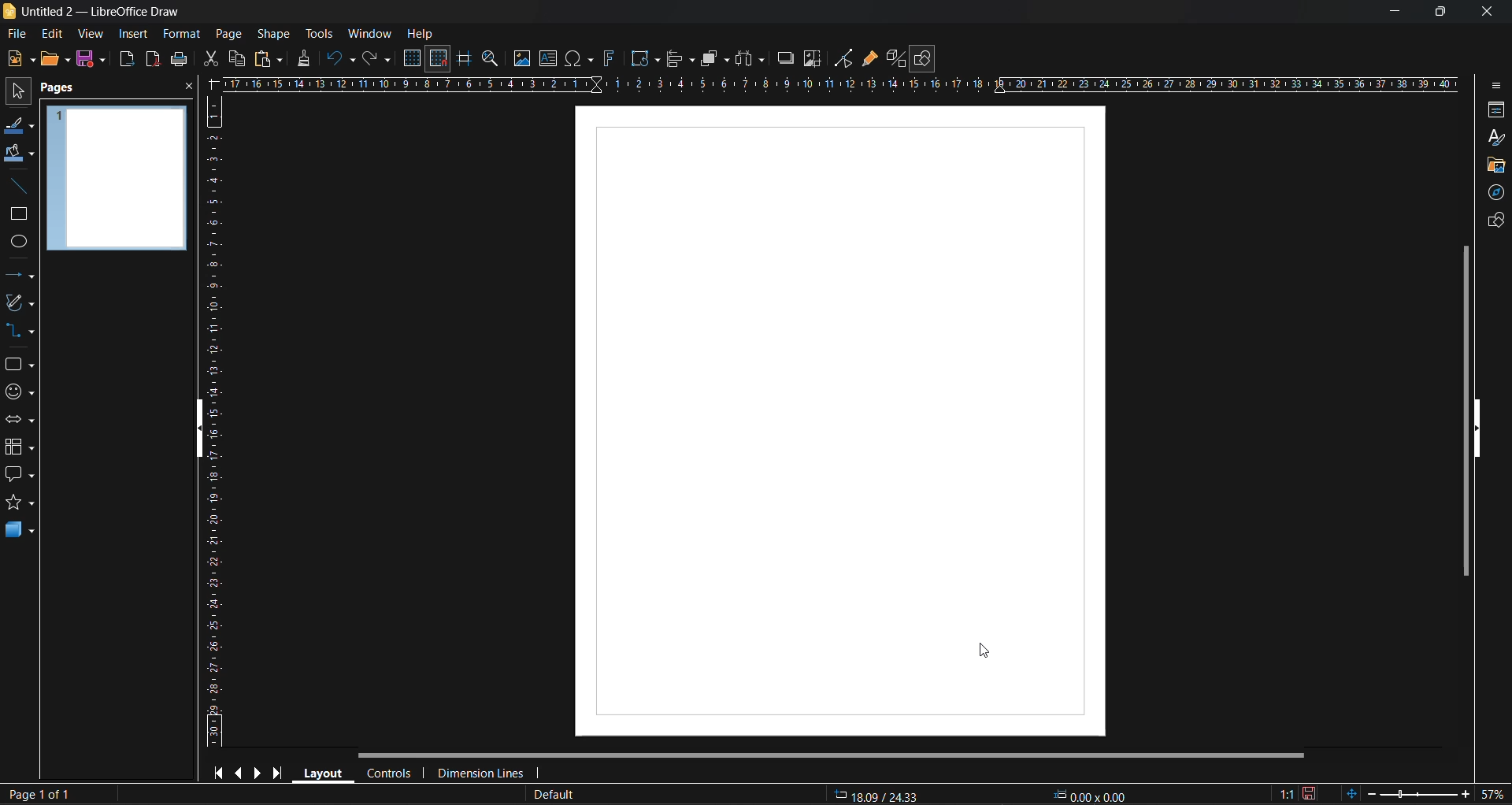 The image size is (1512, 805). I want to click on first , so click(220, 774).